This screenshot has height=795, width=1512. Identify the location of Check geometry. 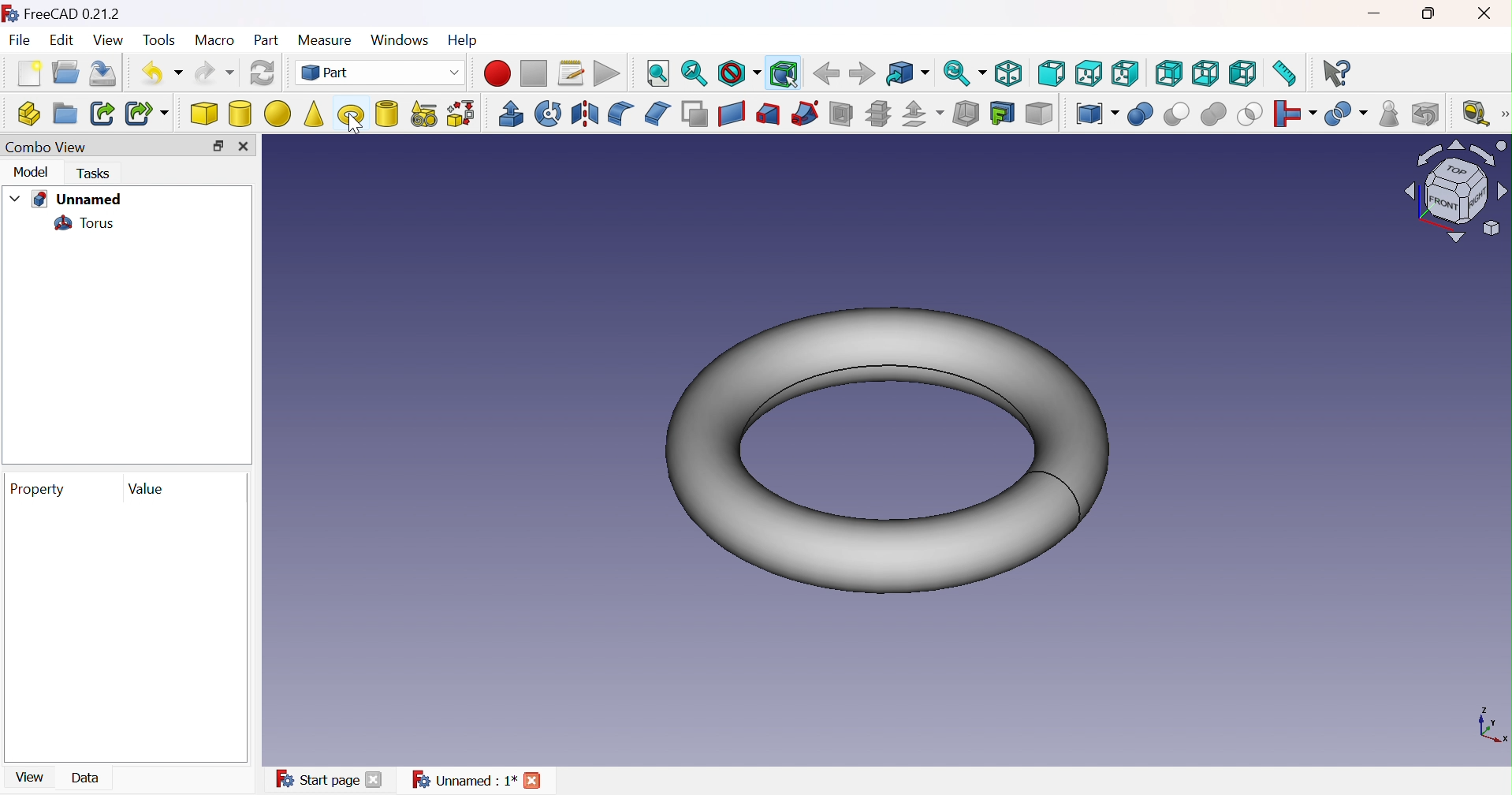
(1389, 113).